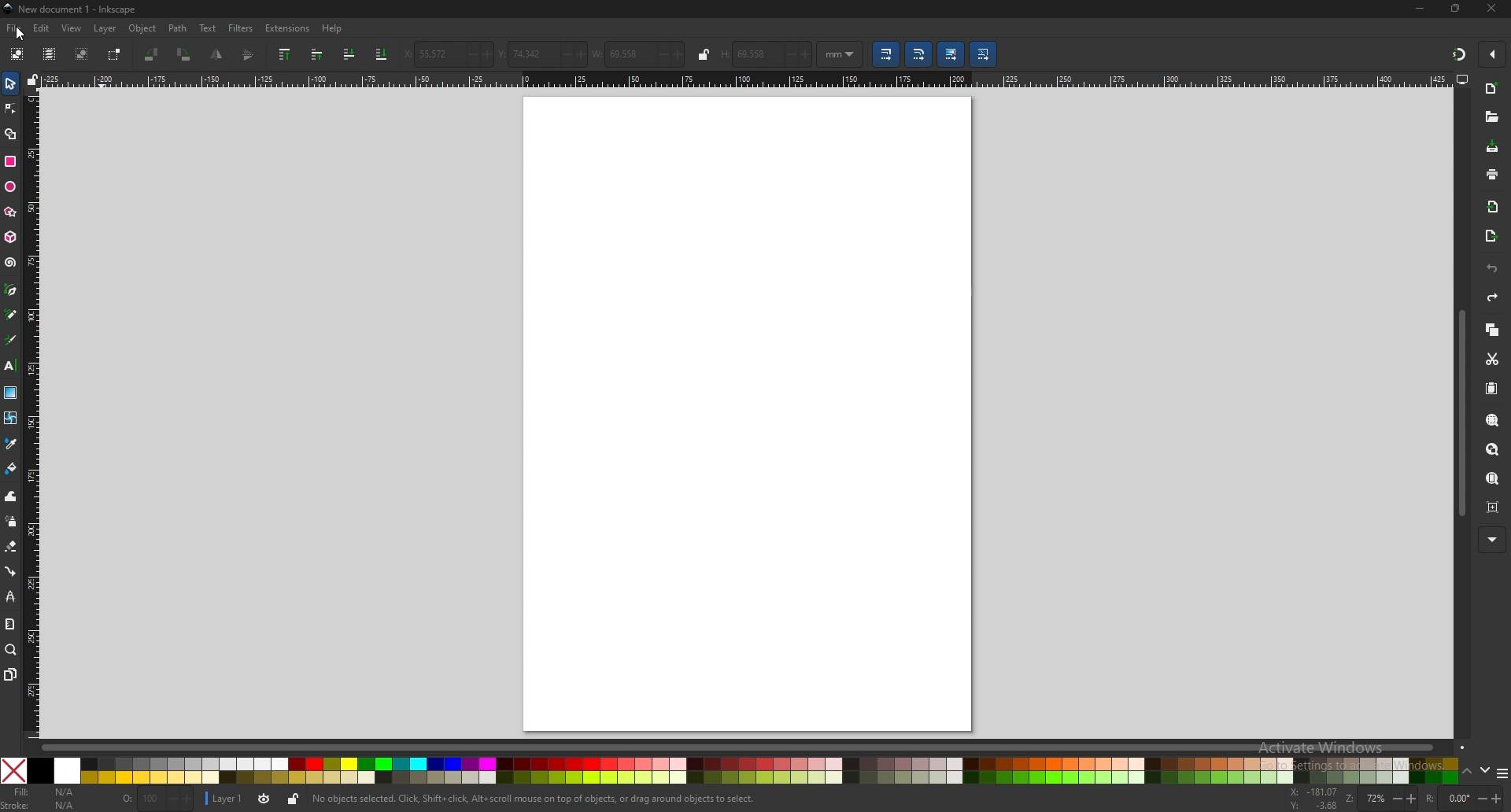 The width and height of the screenshot is (1511, 812). I want to click on shape builder, so click(11, 134).